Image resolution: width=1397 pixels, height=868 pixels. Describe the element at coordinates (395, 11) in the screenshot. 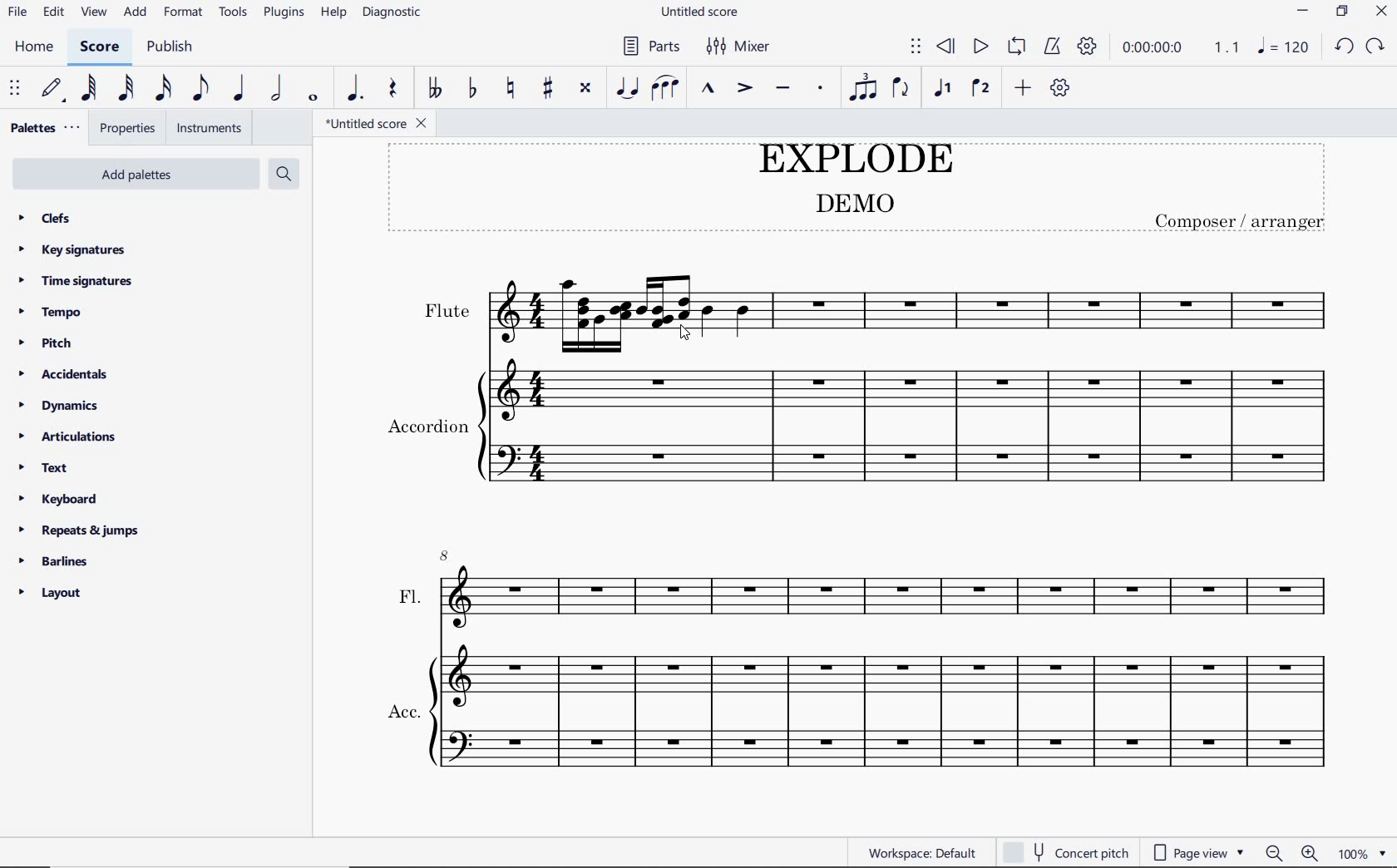

I see `diagnostic` at that location.